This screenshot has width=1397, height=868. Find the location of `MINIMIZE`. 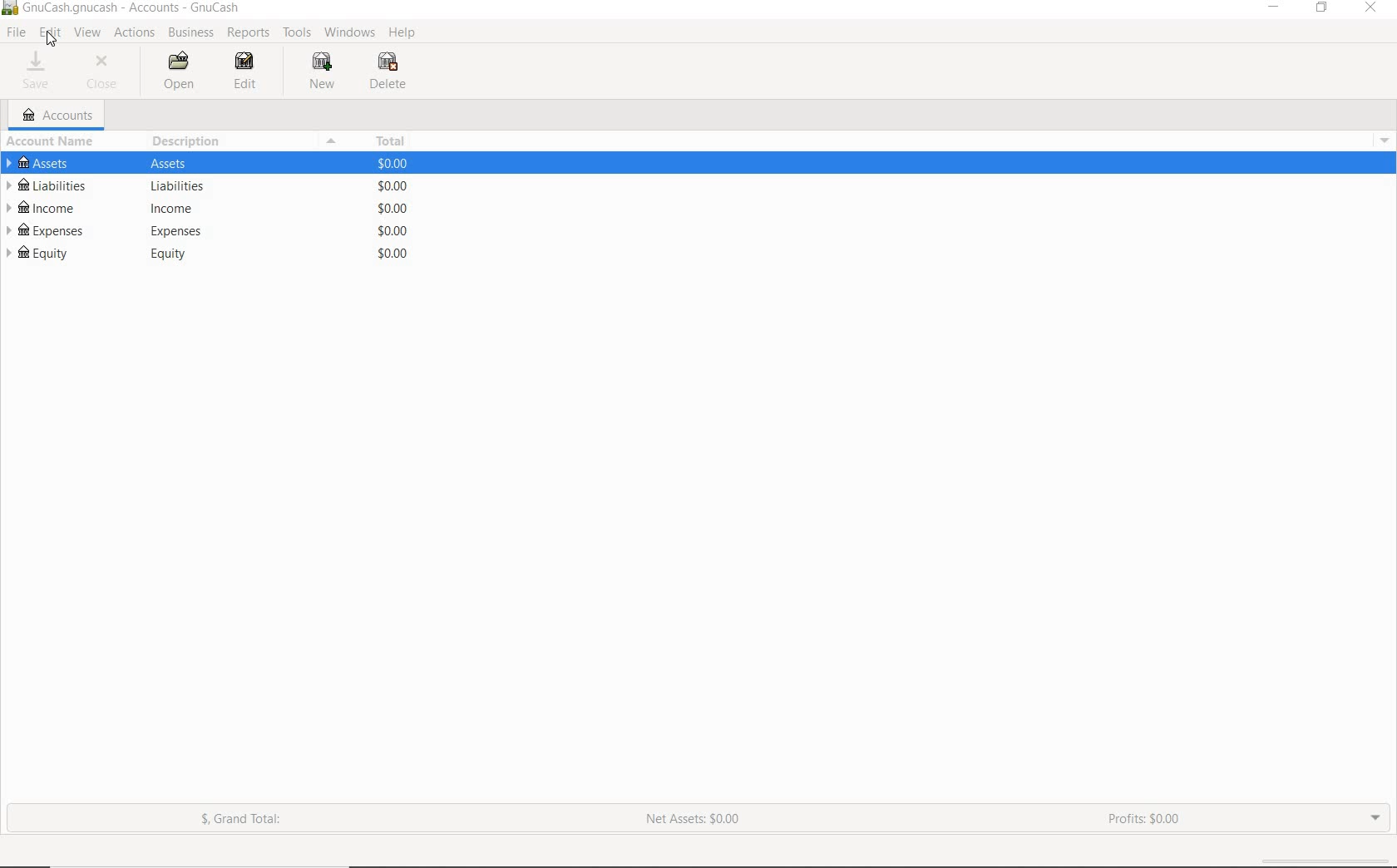

MINIMIZE is located at coordinates (1276, 9).